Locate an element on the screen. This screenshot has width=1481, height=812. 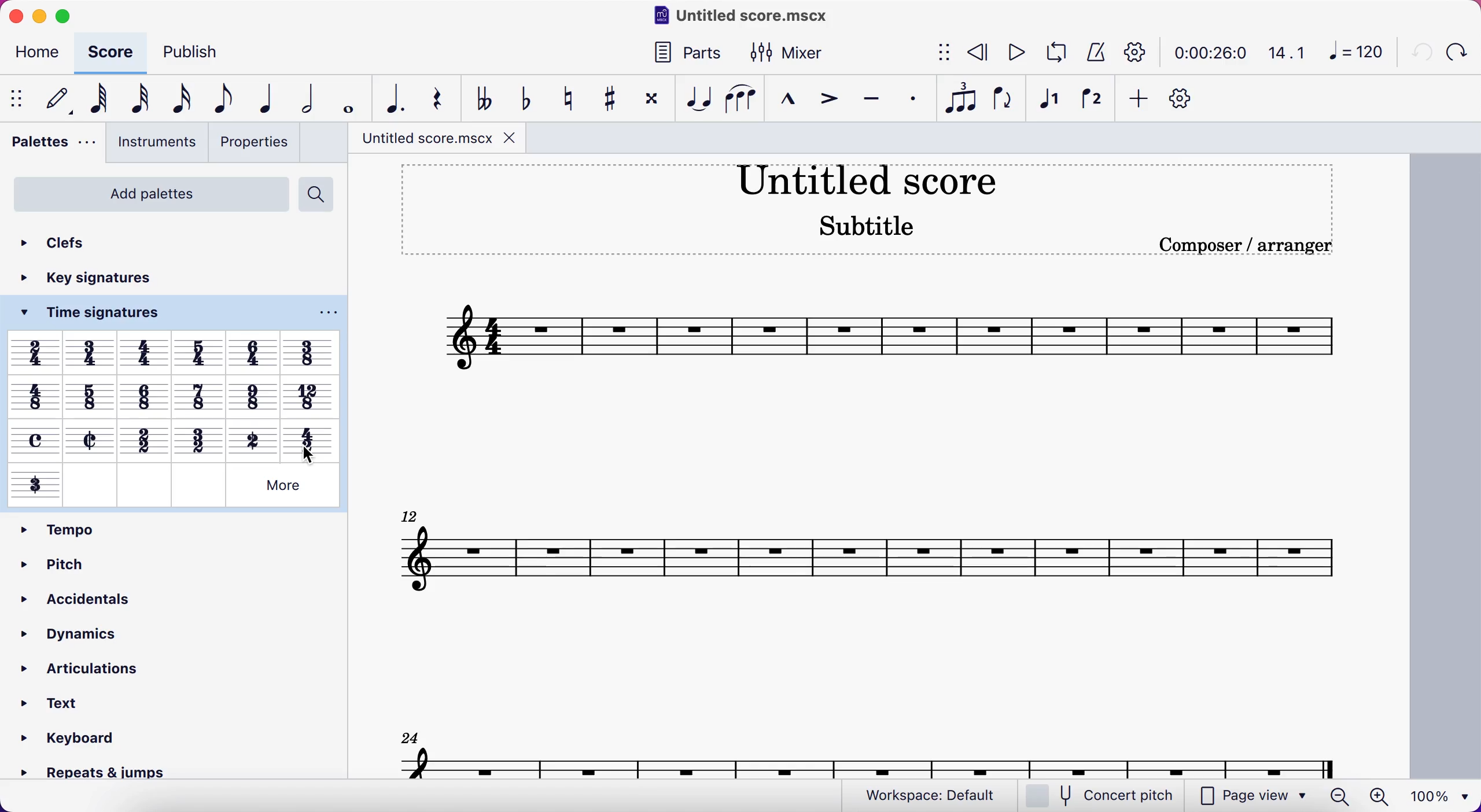
instruments is located at coordinates (156, 145).